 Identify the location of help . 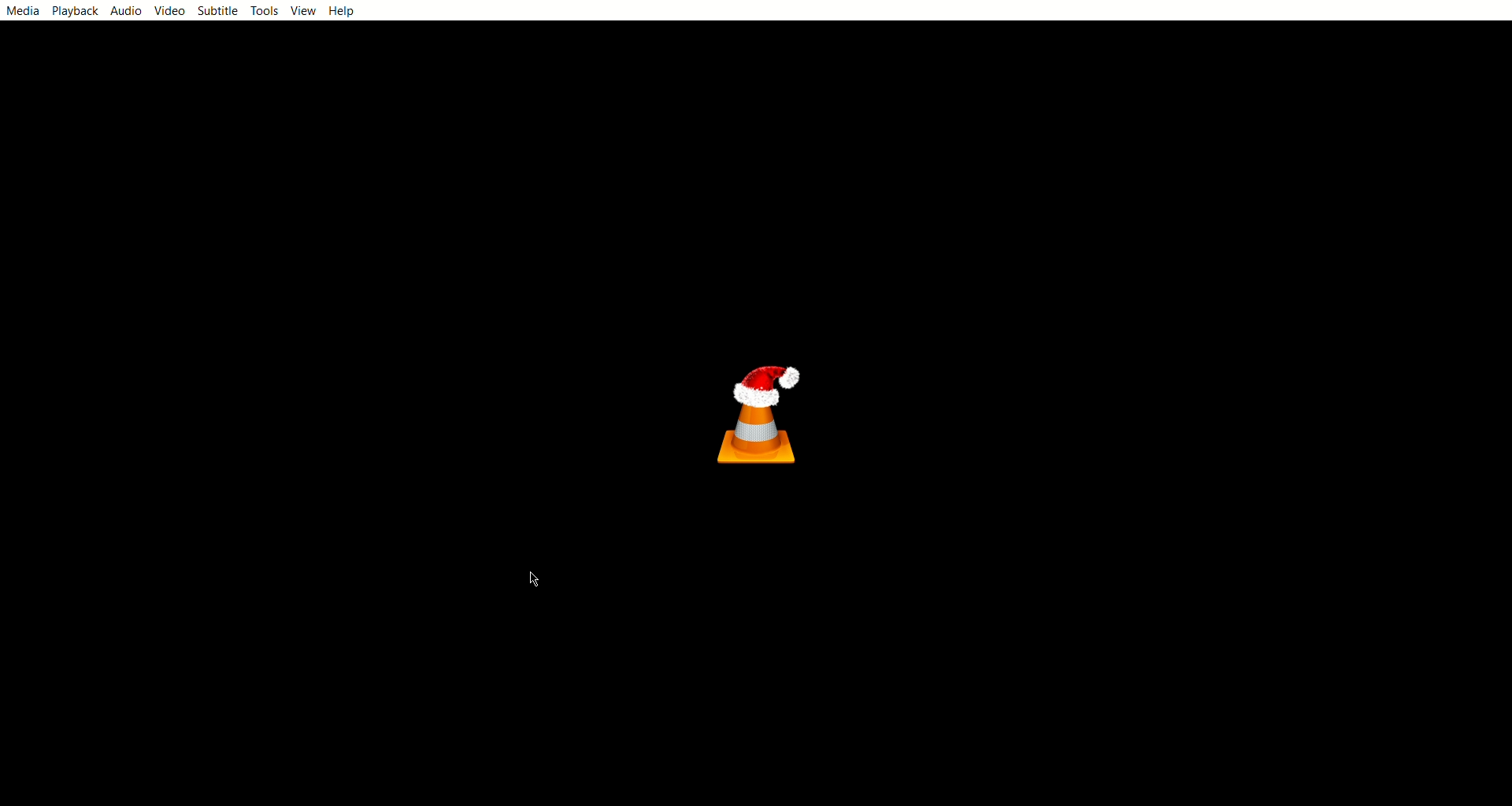
(343, 13).